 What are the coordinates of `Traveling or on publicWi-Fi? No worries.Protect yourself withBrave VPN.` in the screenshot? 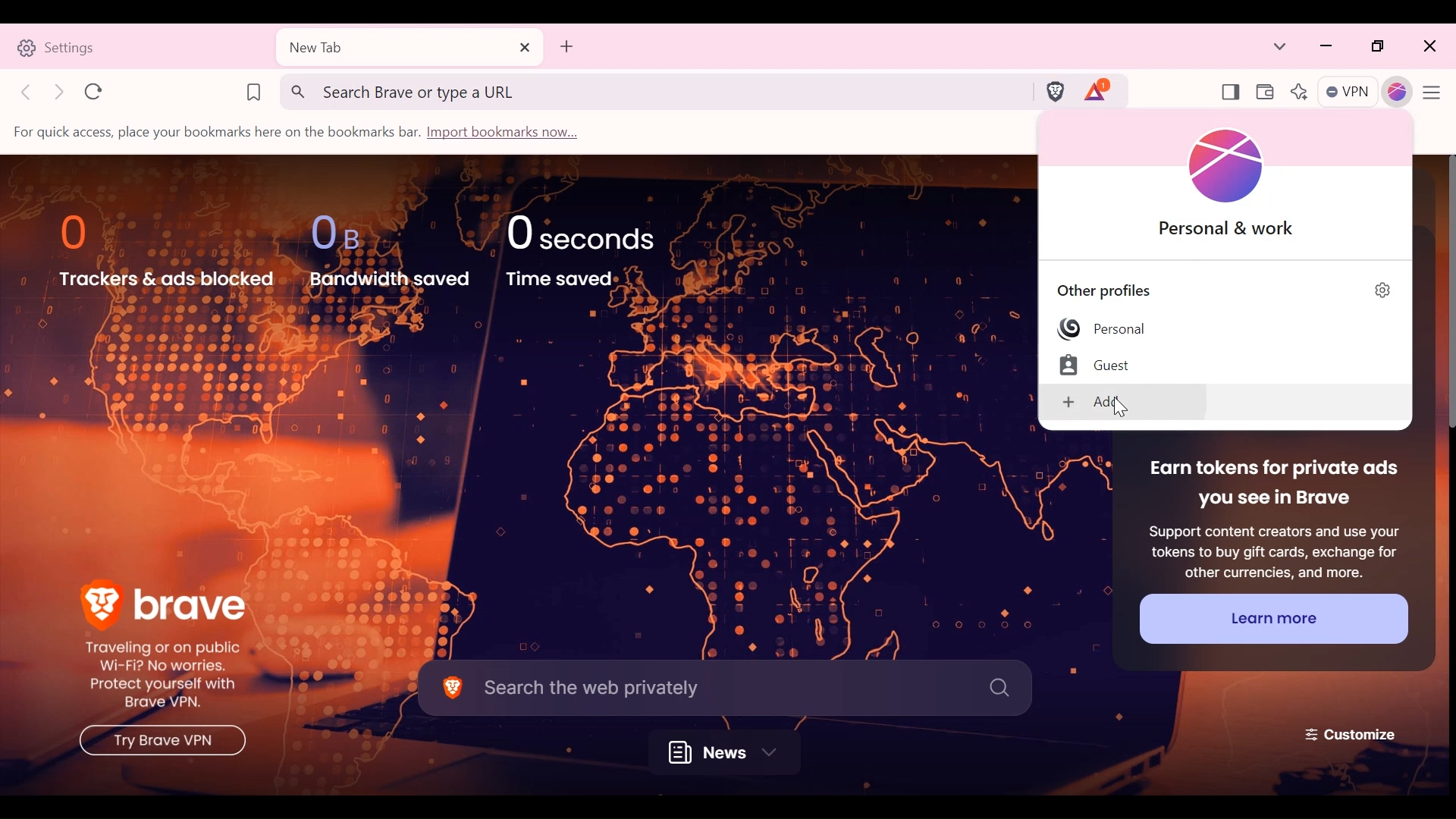 It's located at (173, 677).